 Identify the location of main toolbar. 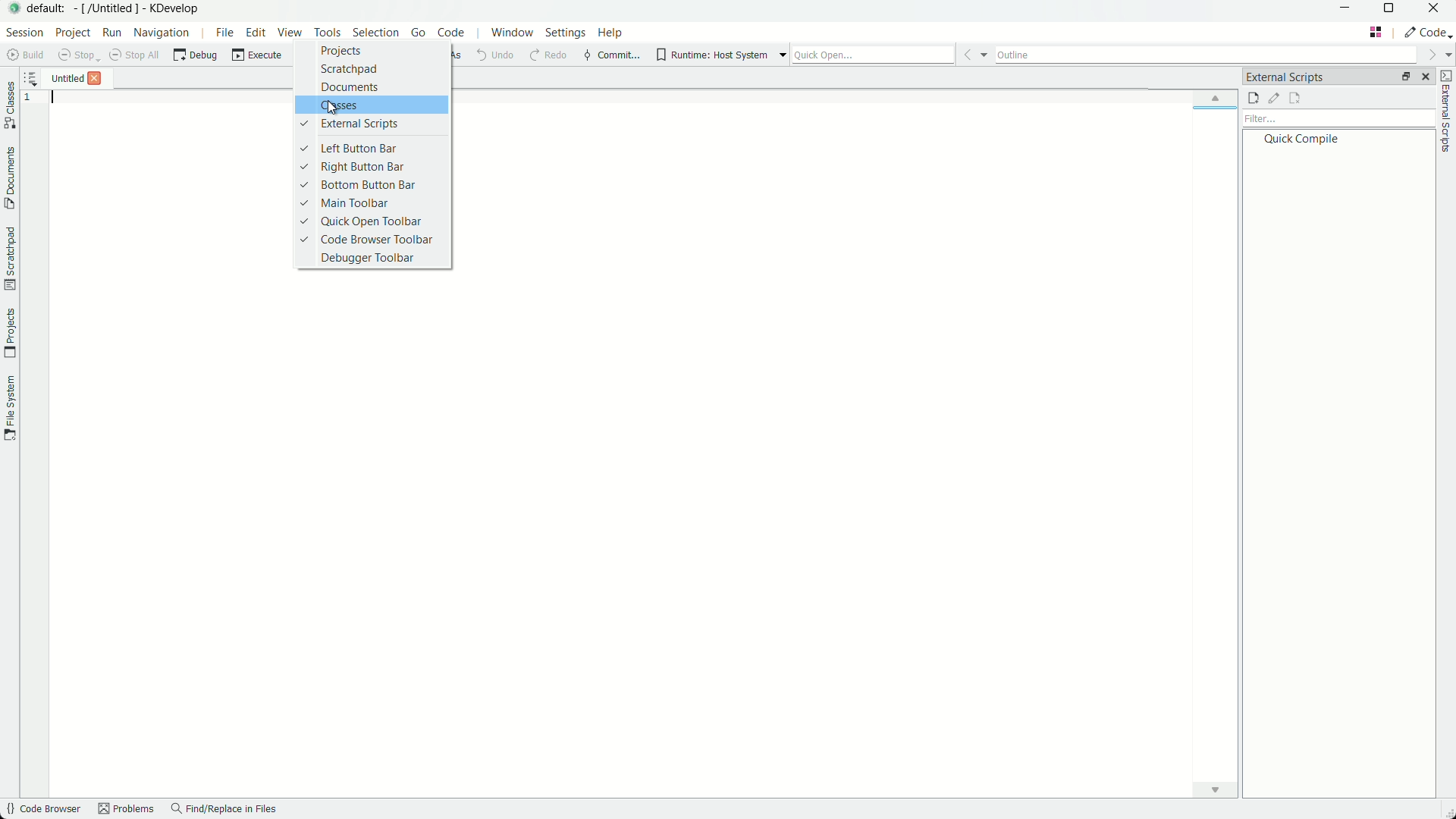
(372, 202).